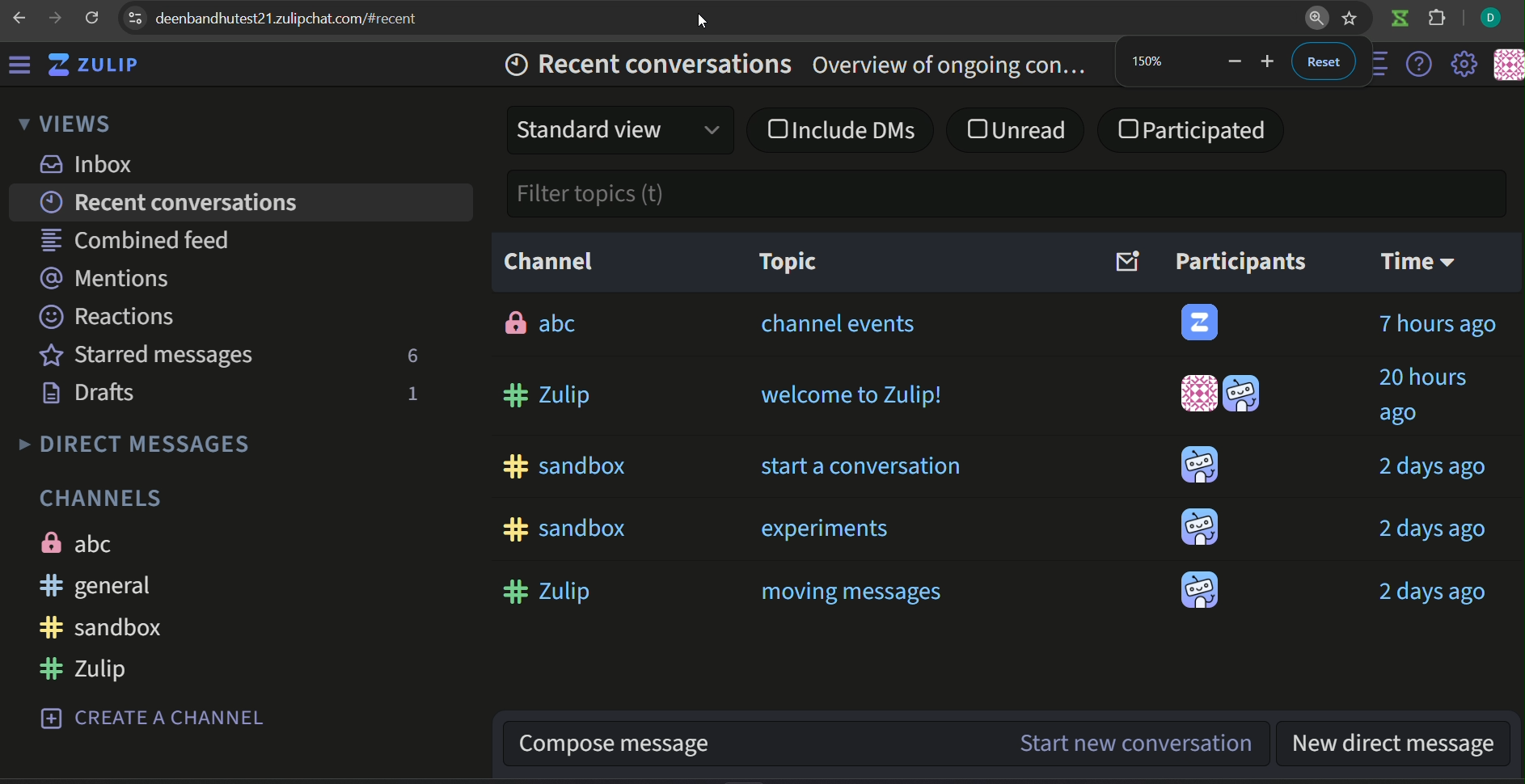  I want to click on extension, so click(1438, 20).